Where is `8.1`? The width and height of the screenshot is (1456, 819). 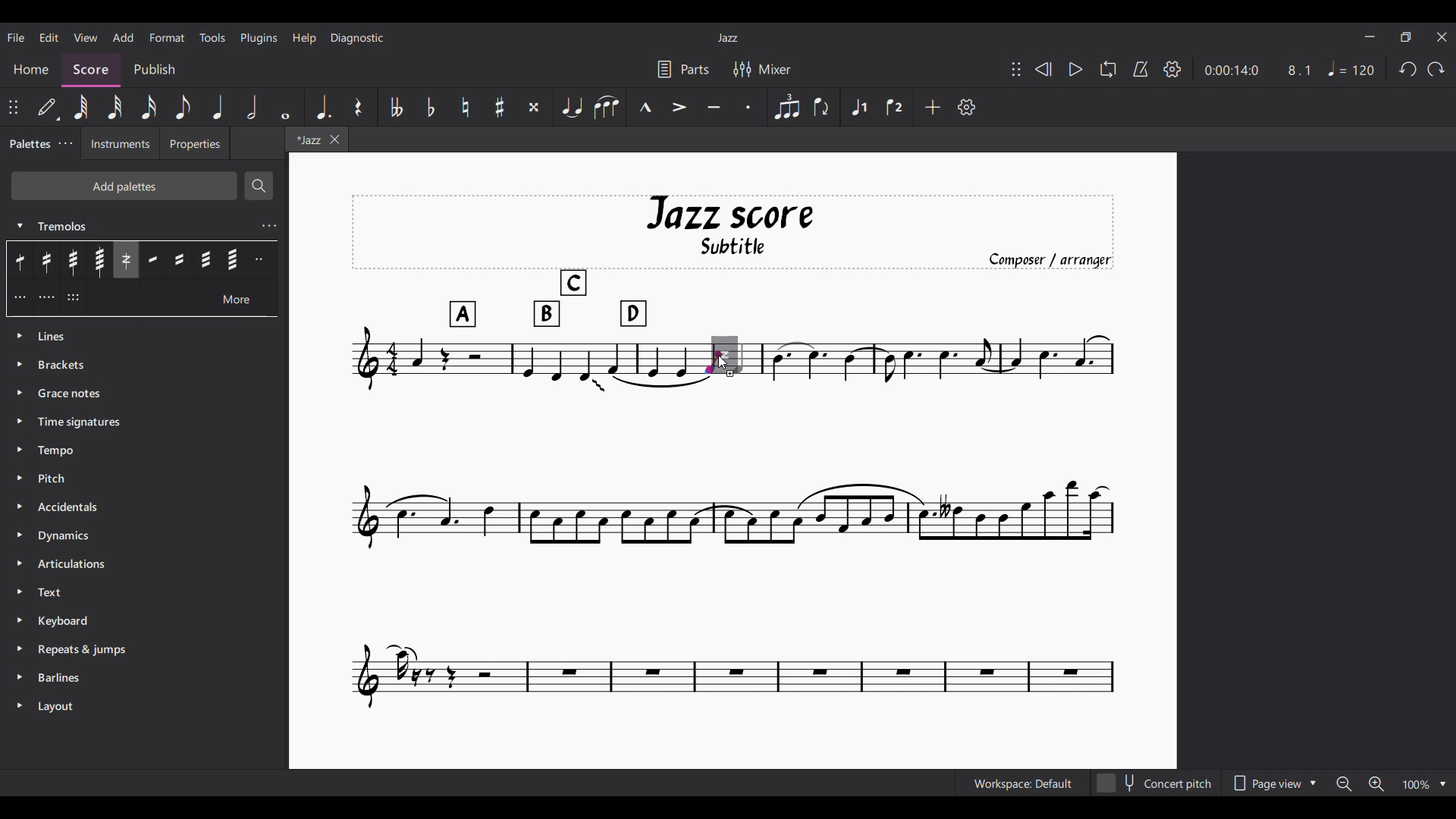 8.1 is located at coordinates (1299, 70).